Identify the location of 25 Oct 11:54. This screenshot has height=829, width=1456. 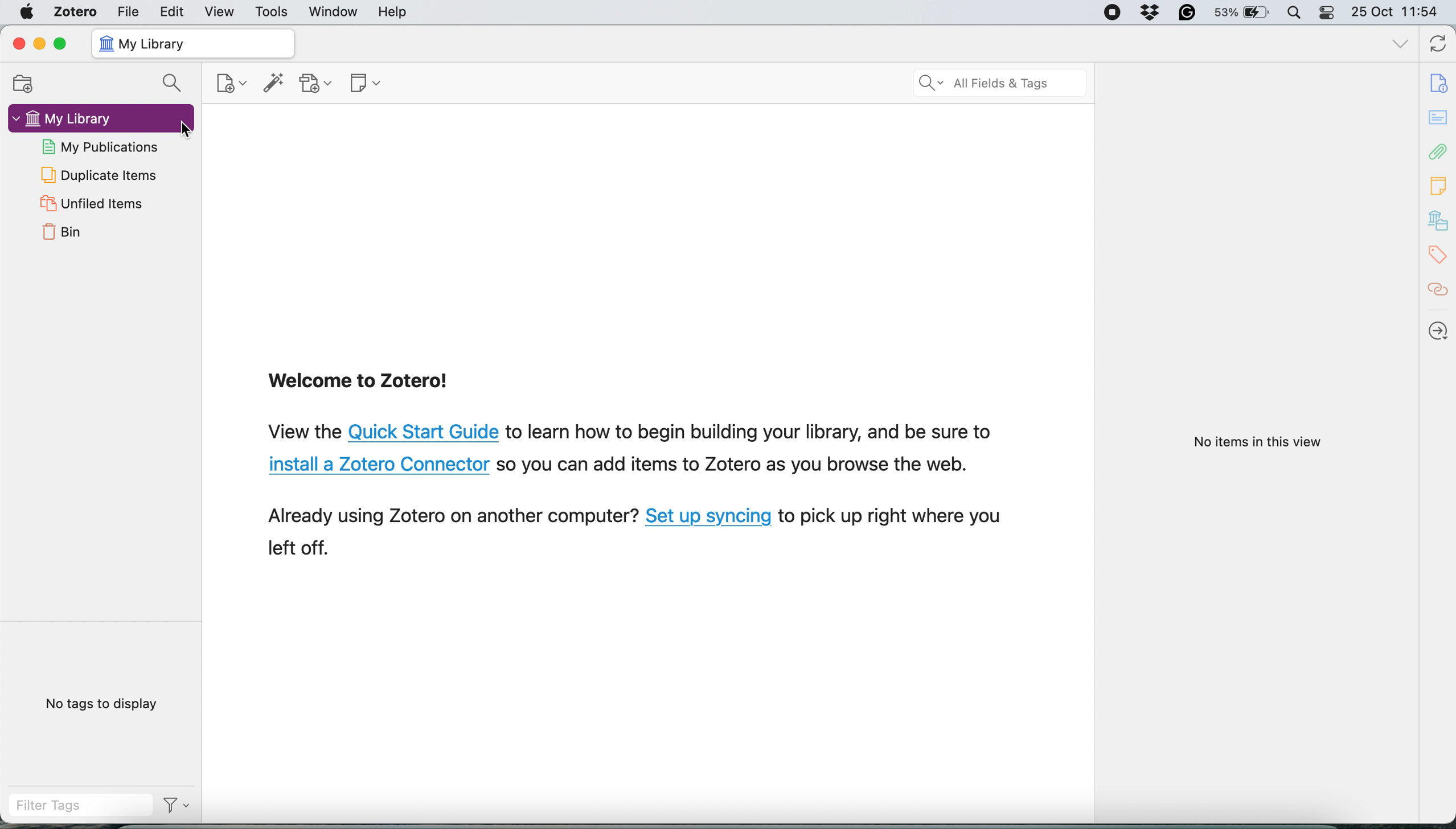
(1401, 12).